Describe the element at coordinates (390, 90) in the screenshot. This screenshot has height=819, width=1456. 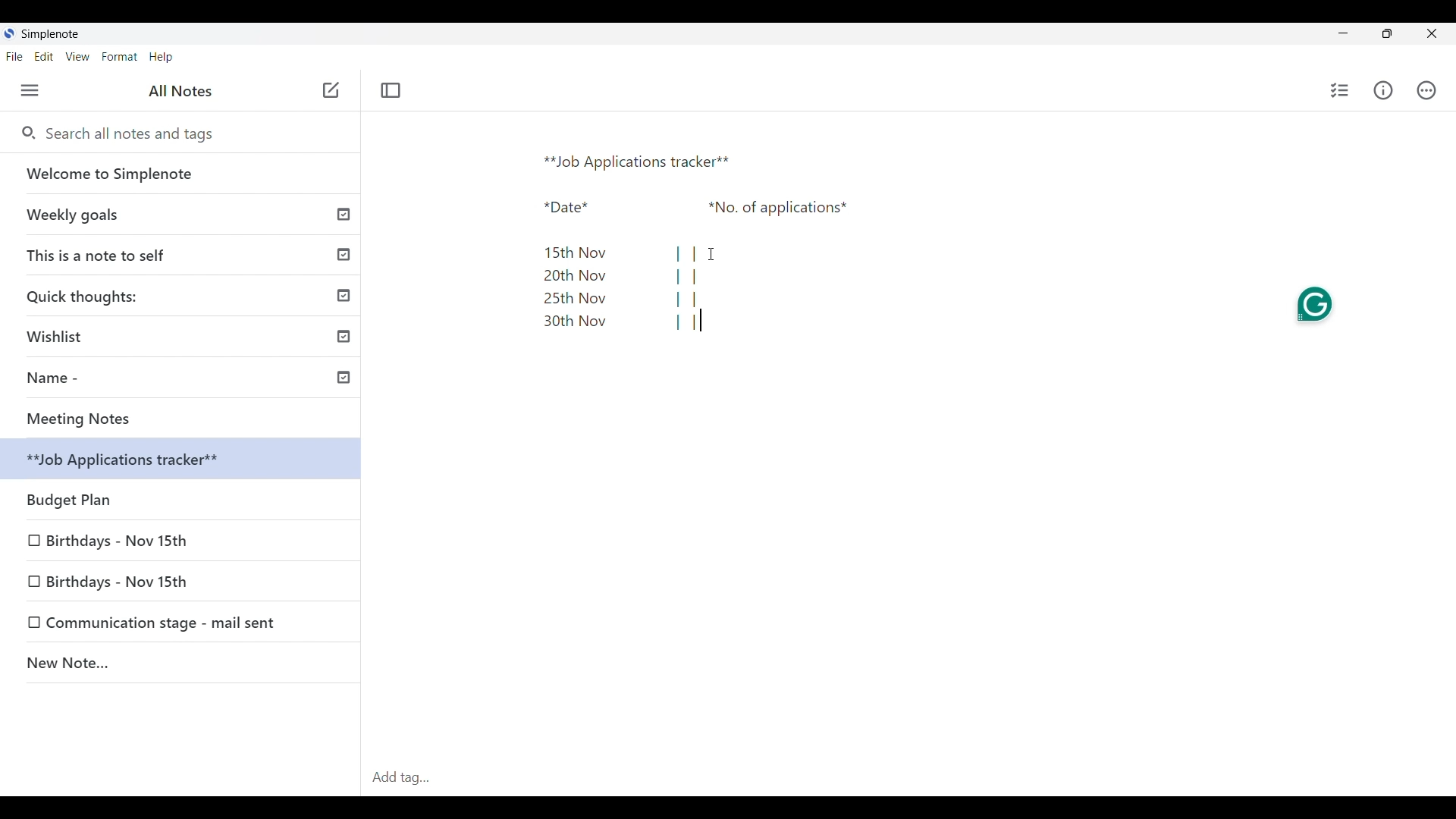
I see `Toggle focus mode` at that location.